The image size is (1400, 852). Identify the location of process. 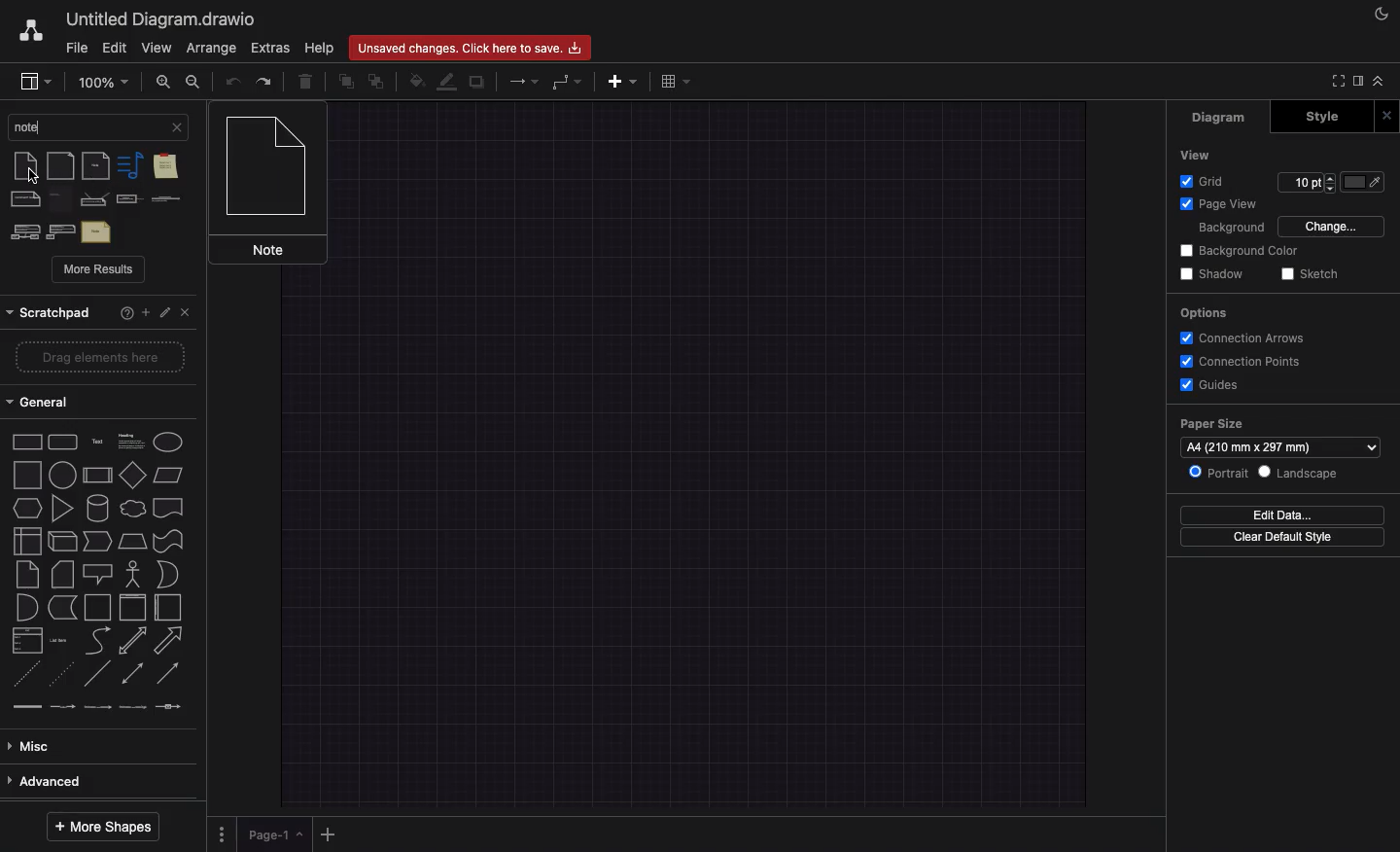
(63, 475).